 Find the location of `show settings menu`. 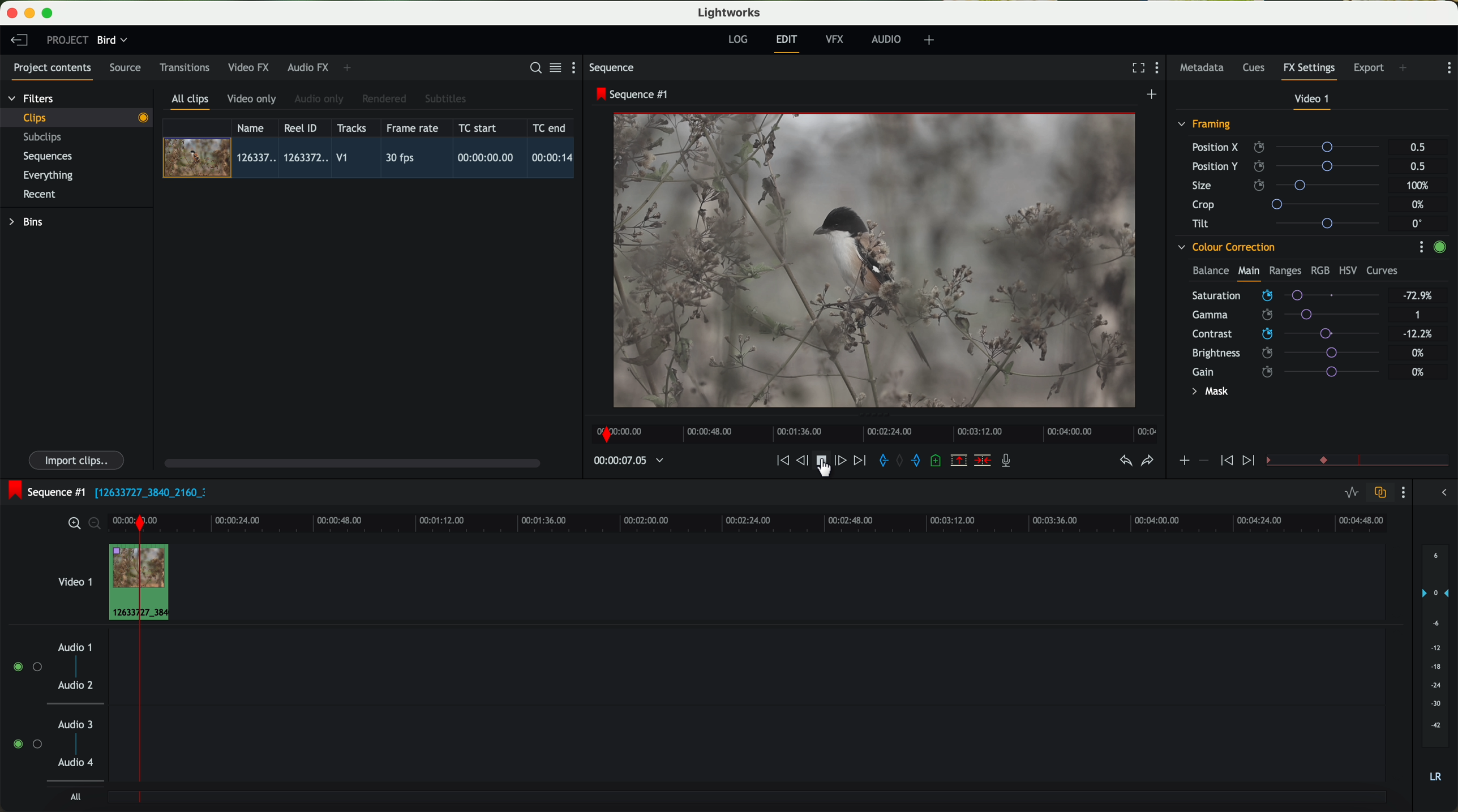

show settings menu is located at coordinates (1448, 68).